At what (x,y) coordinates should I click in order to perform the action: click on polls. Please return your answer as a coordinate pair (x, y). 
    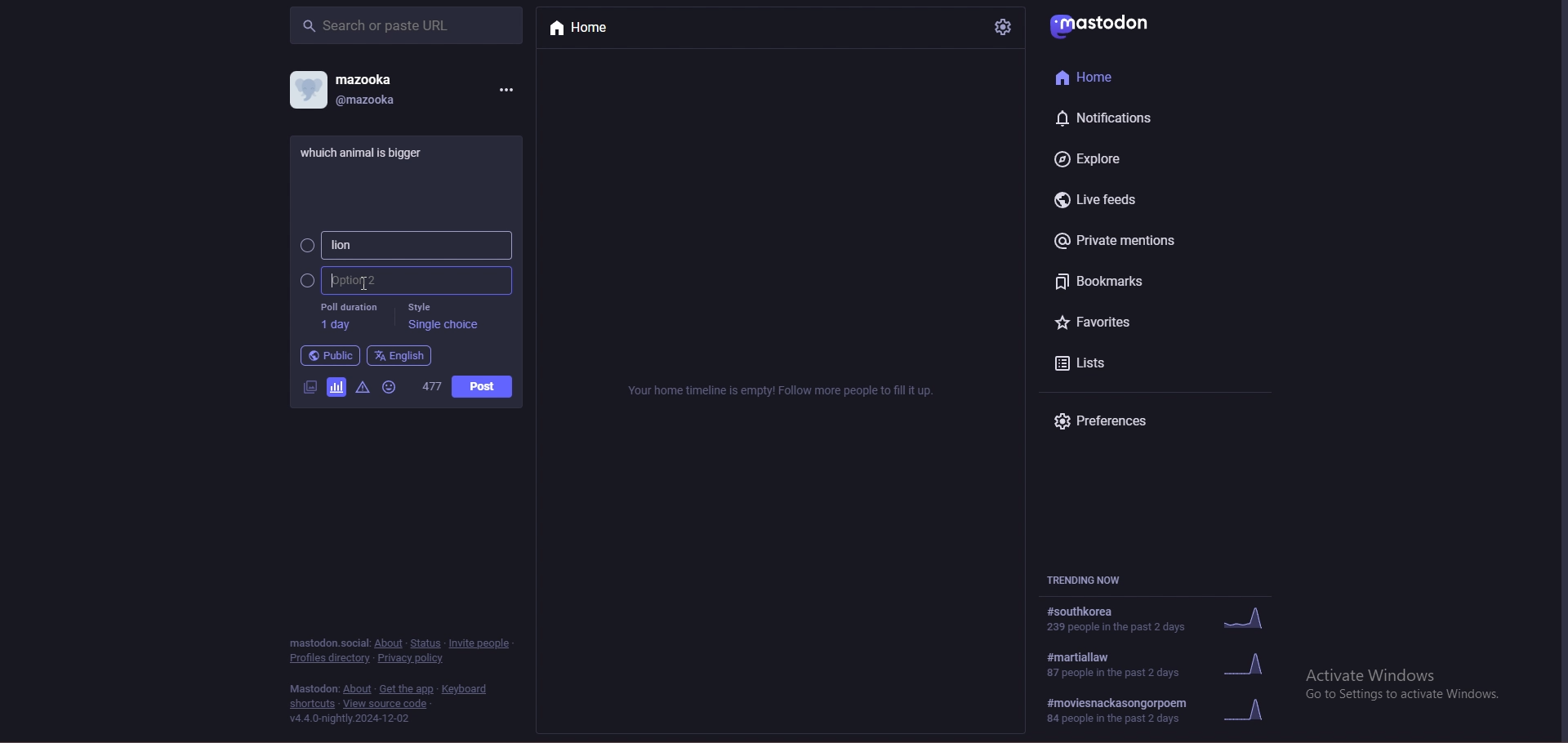
    Looking at the image, I should click on (336, 389).